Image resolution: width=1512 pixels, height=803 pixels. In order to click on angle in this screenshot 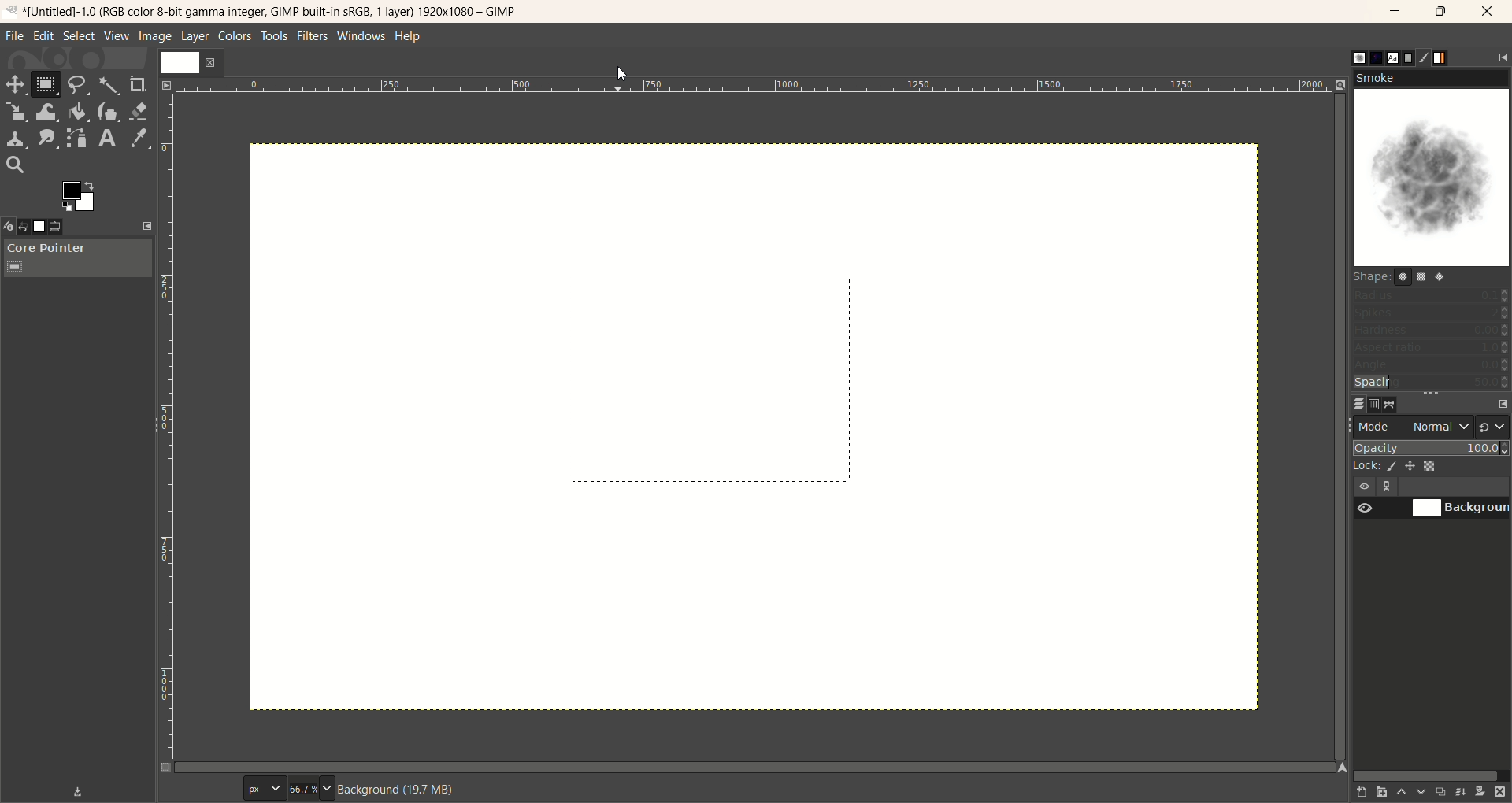, I will do `click(1432, 367)`.